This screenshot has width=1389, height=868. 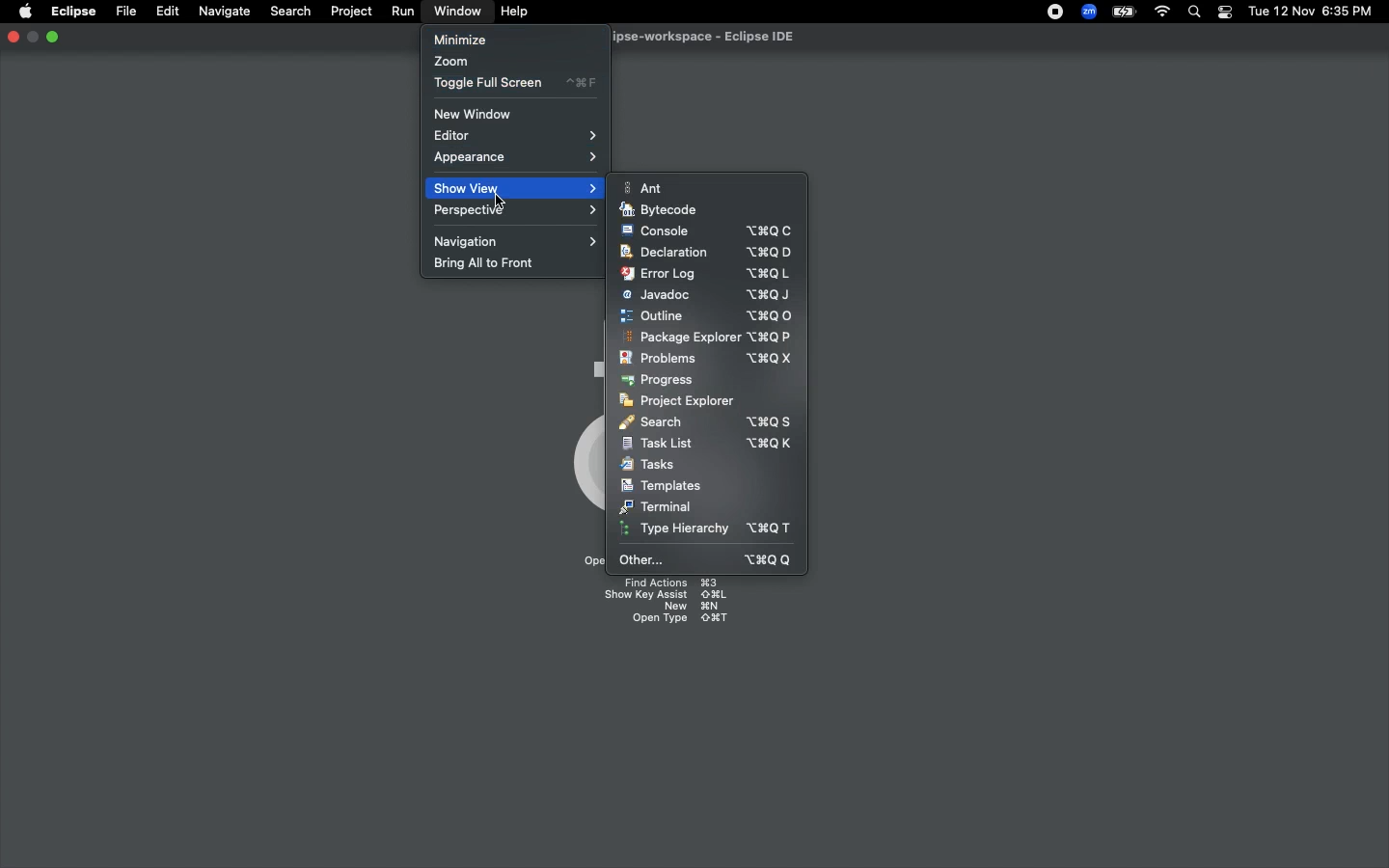 I want to click on Project, so click(x=351, y=12).